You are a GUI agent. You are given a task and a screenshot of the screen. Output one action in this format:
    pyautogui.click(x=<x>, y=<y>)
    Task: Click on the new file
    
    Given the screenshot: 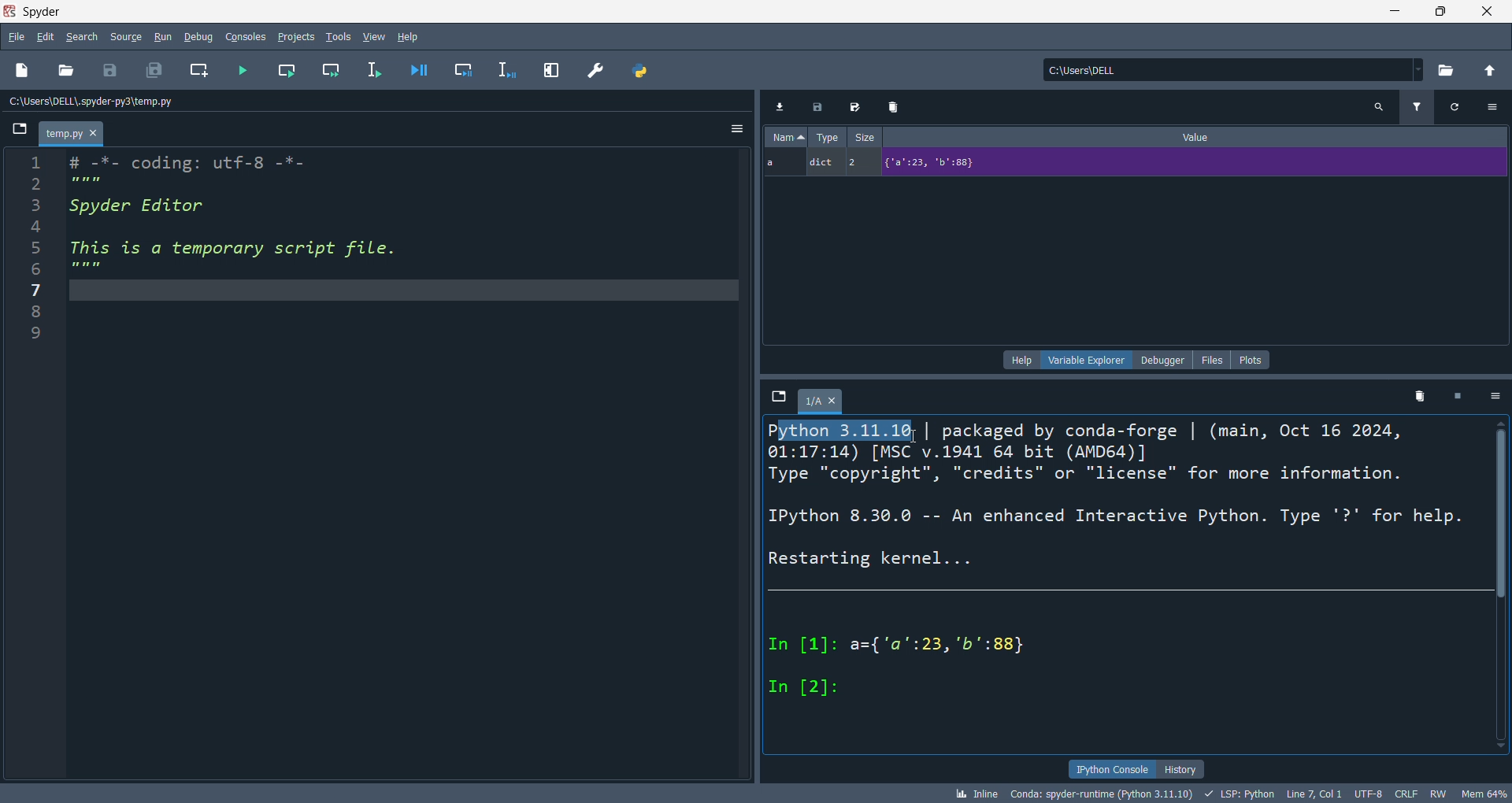 What is the action you would take?
    pyautogui.click(x=23, y=68)
    